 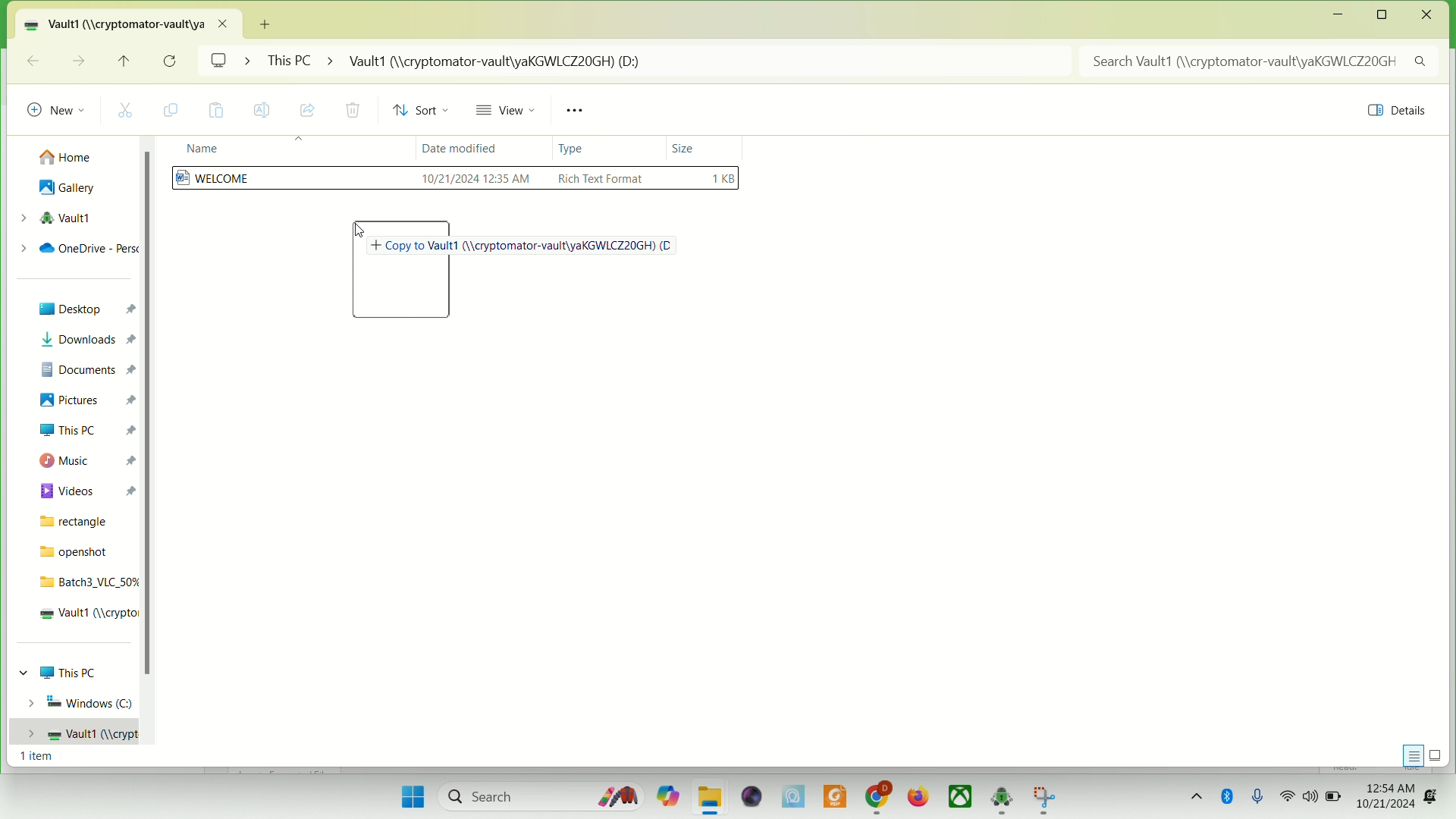 What do you see at coordinates (77, 248) in the screenshot?
I see `onedrive-personal` at bounding box center [77, 248].